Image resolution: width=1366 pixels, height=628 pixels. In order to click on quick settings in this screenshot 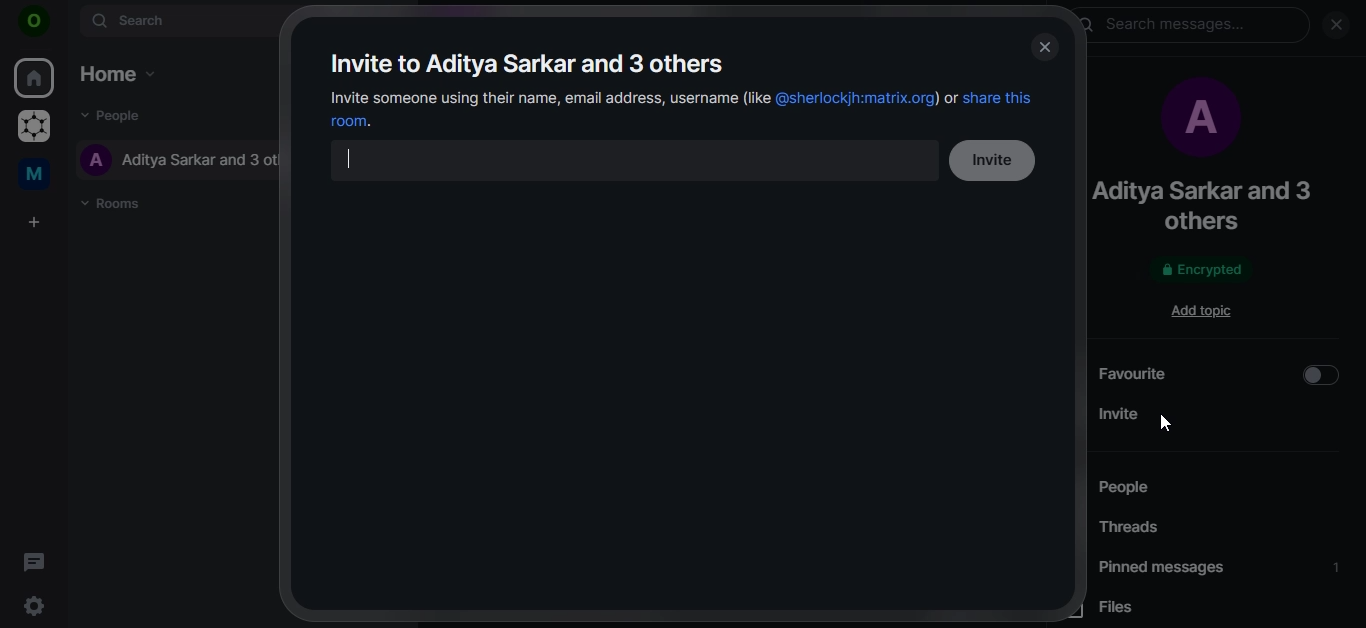, I will do `click(37, 606)`.